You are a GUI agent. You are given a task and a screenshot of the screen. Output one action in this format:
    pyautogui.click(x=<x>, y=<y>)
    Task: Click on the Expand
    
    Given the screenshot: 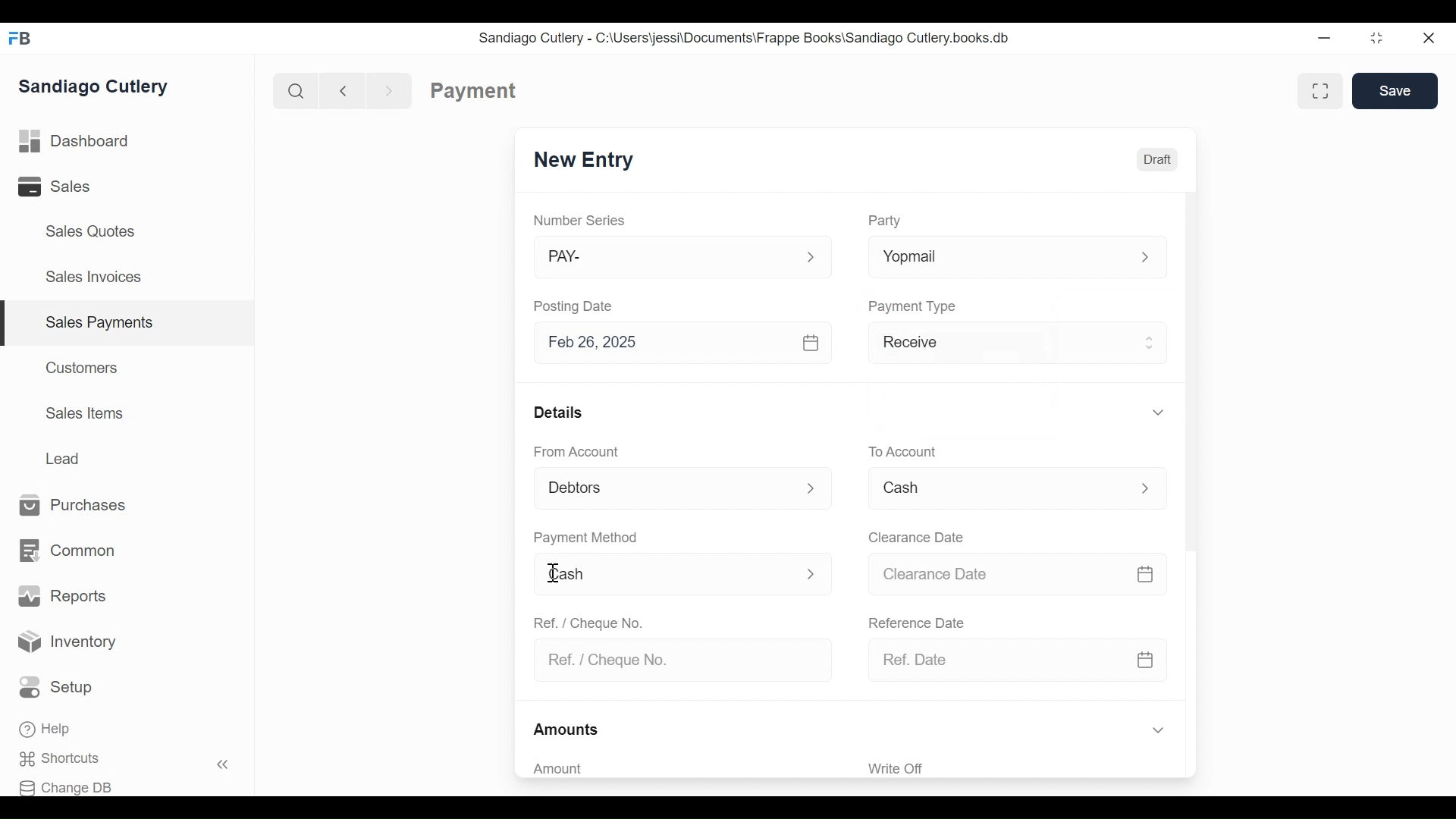 What is the action you would take?
    pyautogui.click(x=1157, y=412)
    